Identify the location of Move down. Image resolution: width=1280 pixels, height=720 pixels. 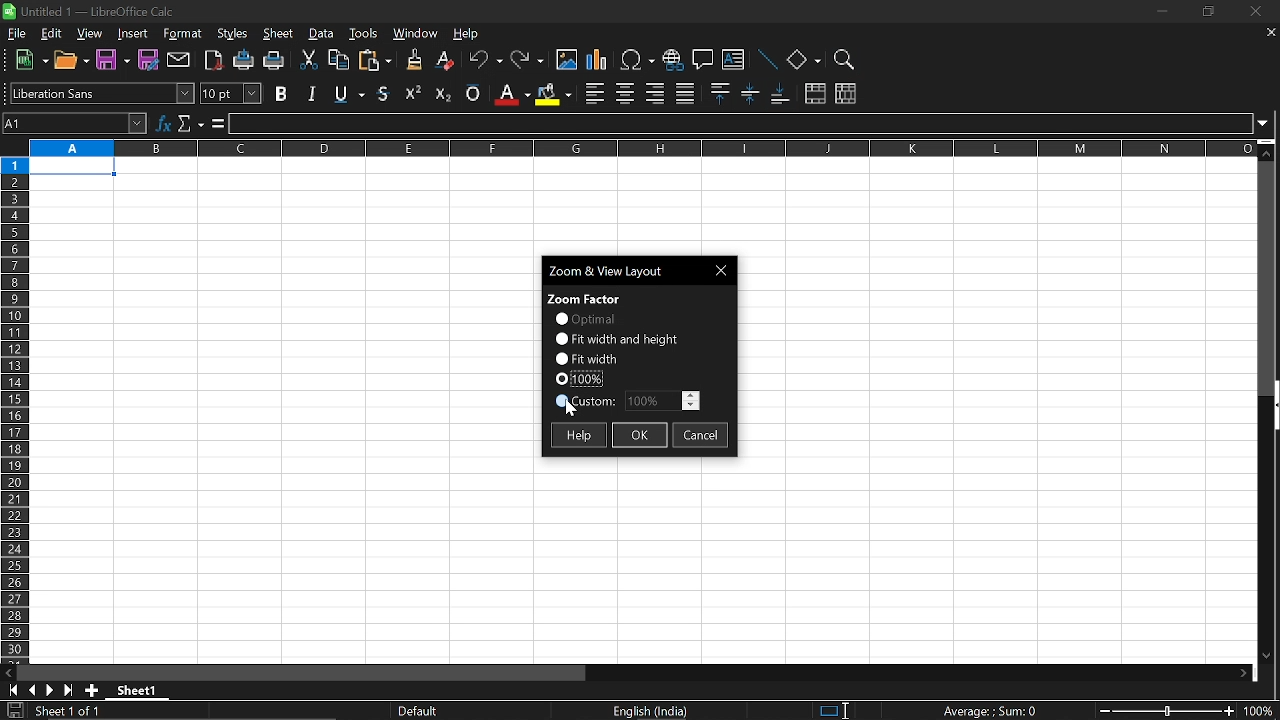
(1265, 654).